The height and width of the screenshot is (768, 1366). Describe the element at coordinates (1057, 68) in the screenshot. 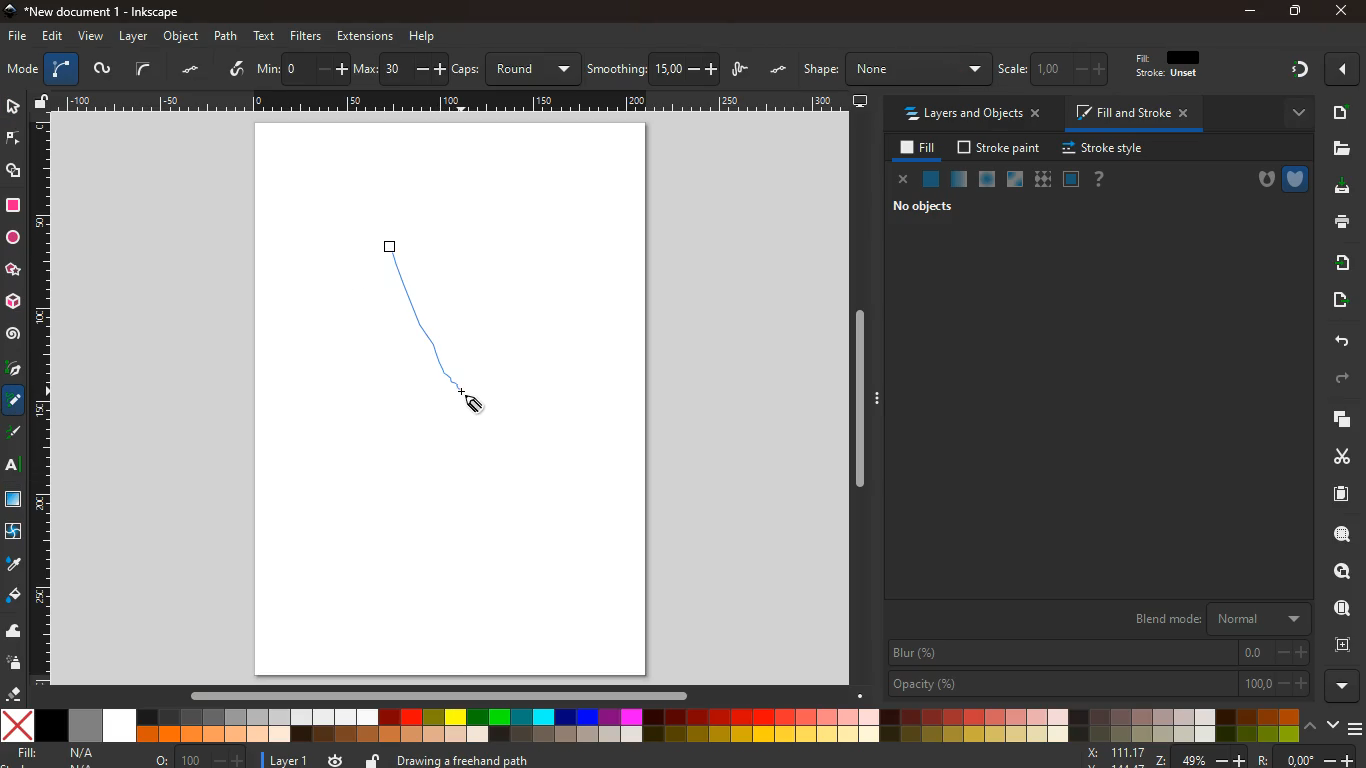

I see `scale` at that location.